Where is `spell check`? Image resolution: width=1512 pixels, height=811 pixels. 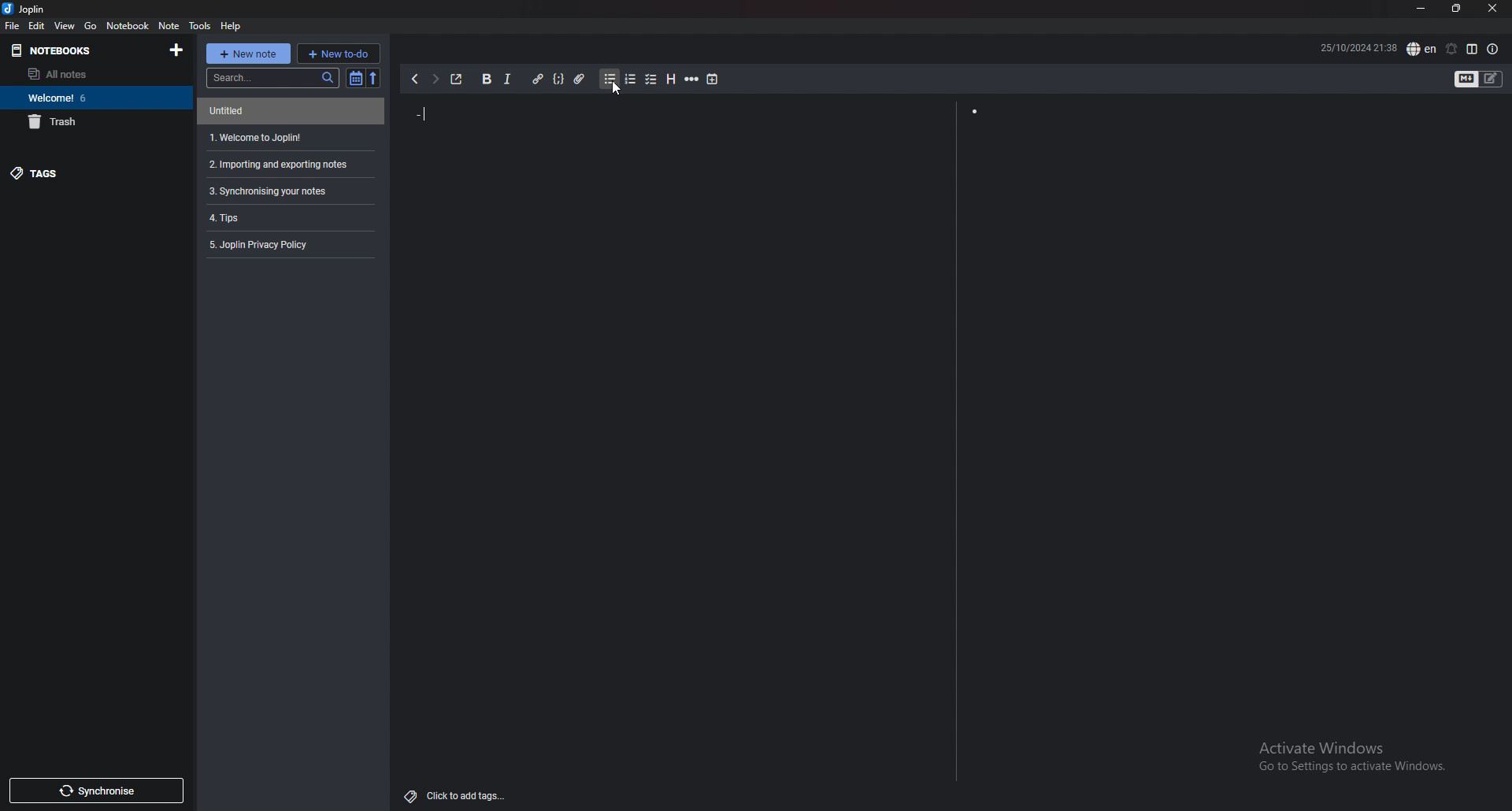 spell check is located at coordinates (1419, 49).